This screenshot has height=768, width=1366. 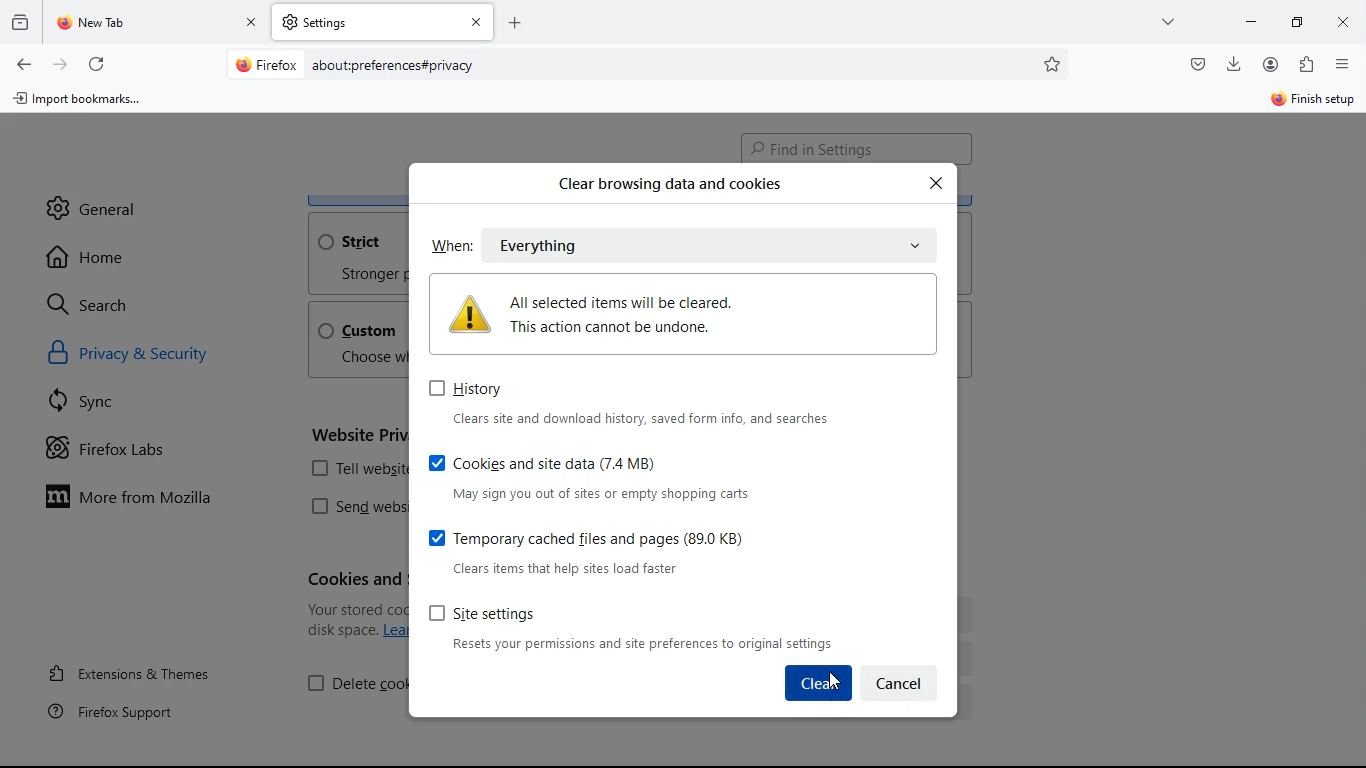 I want to click on Cookies and site data (7.4 MB)
May sign you out of sites or empty shopping carts, so click(x=628, y=476).